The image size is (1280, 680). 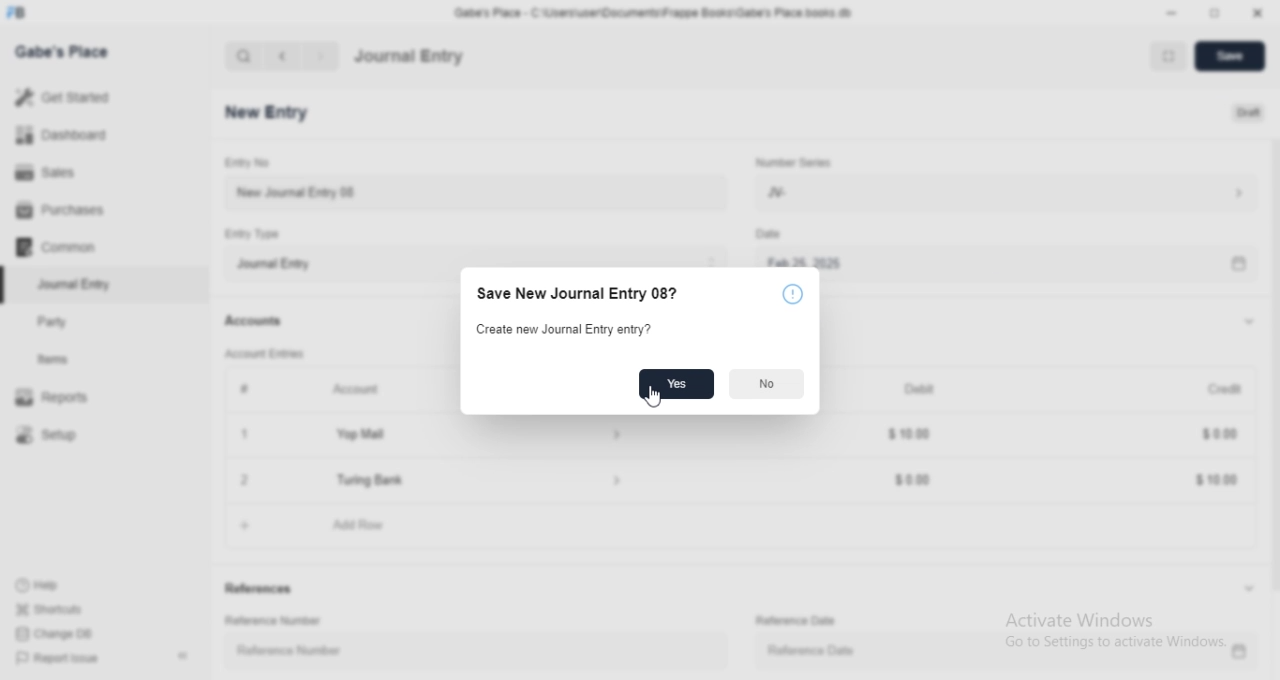 I want to click on cursor, so click(x=656, y=398).